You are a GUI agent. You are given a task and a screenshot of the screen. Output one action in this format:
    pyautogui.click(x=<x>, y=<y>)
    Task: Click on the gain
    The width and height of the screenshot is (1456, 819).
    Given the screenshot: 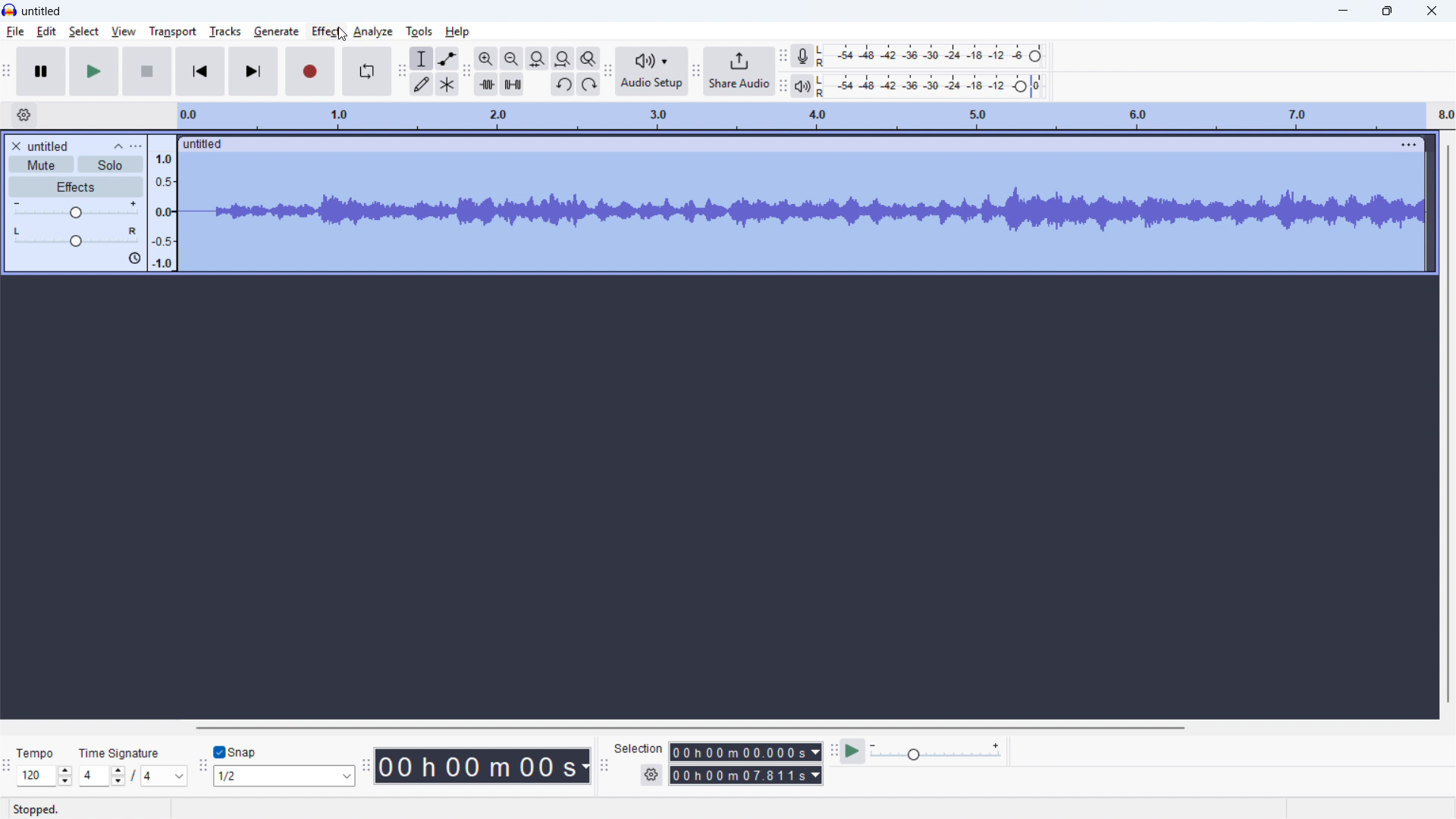 What is the action you would take?
    pyautogui.click(x=76, y=210)
    